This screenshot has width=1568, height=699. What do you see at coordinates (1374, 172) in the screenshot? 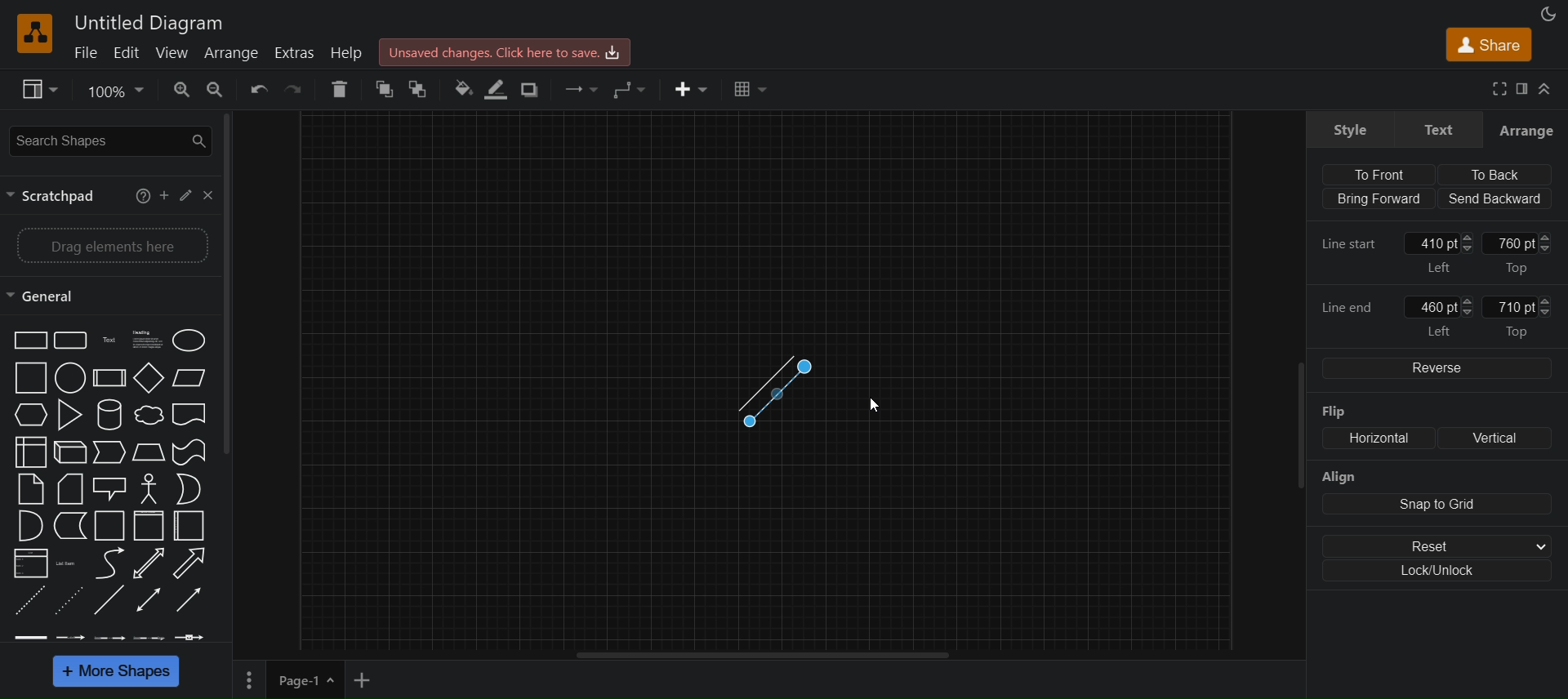
I see `to front` at bounding box center [1374, 172].